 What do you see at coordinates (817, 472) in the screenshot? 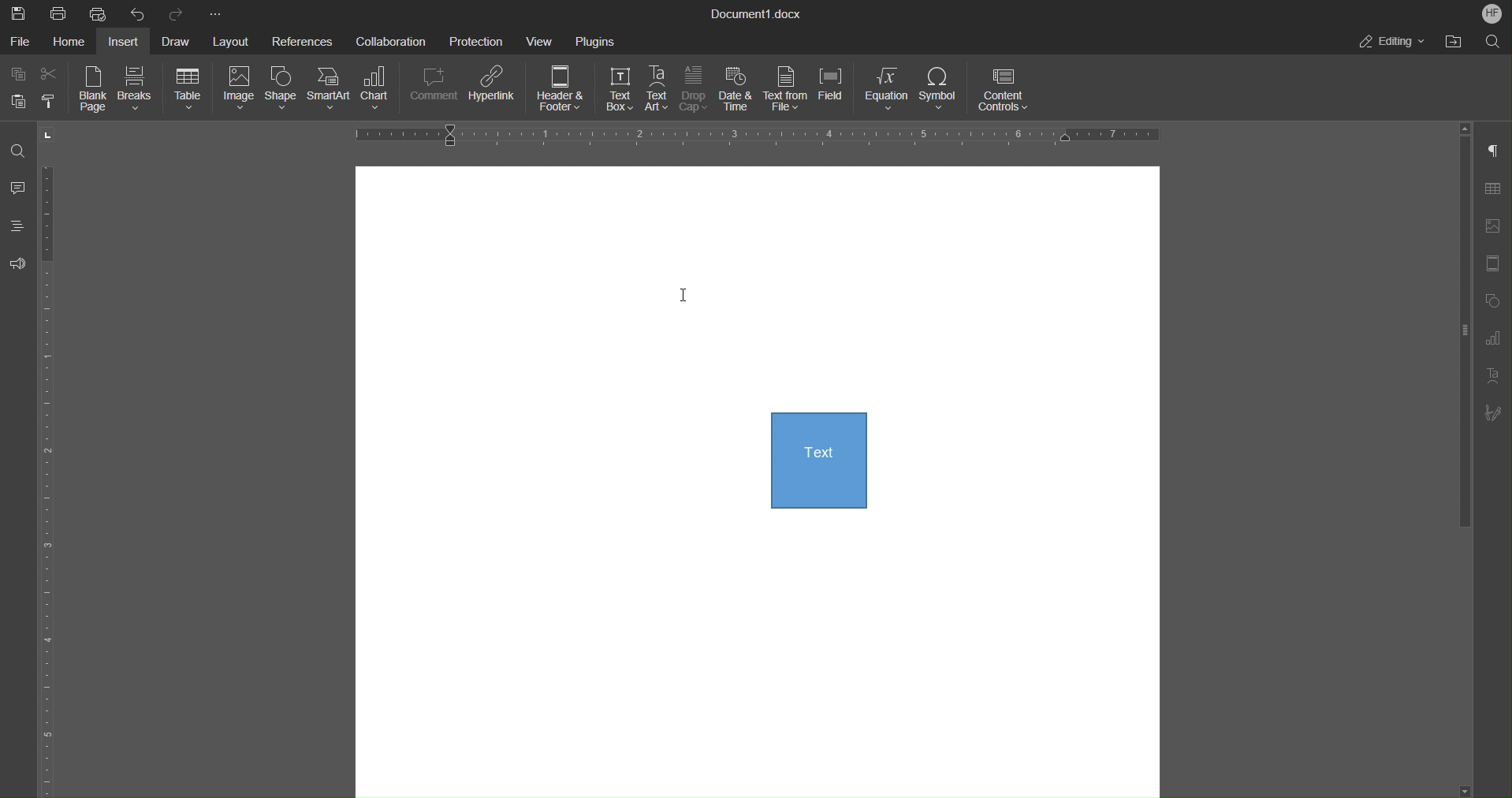
I see `Text` at bounding box center [817, 472].